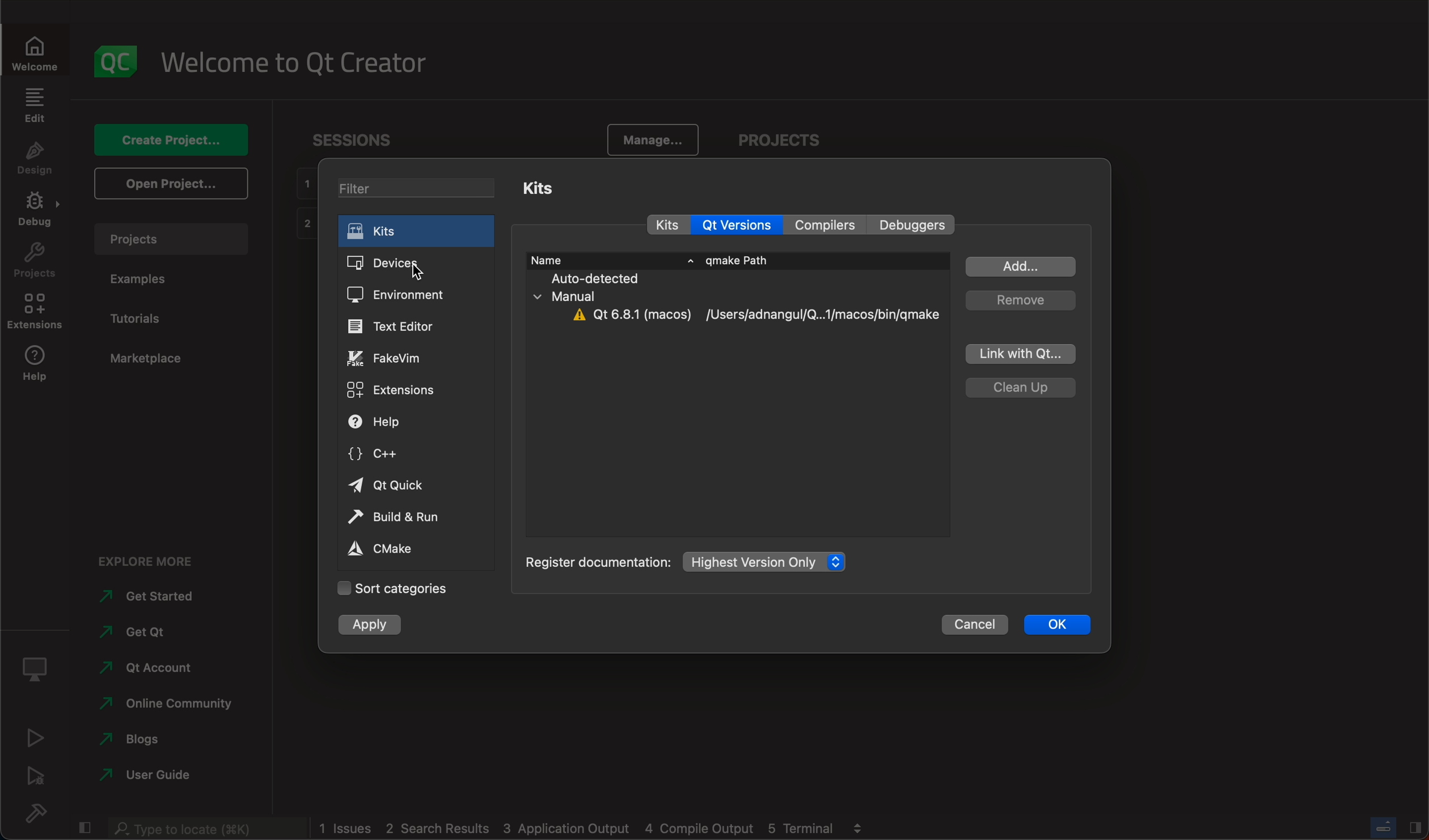 The image size is (1429, 840). What do you see at coordinates (1020, 388) in the screenshot?
I see `clean up` at bounding box center [1020, 388].